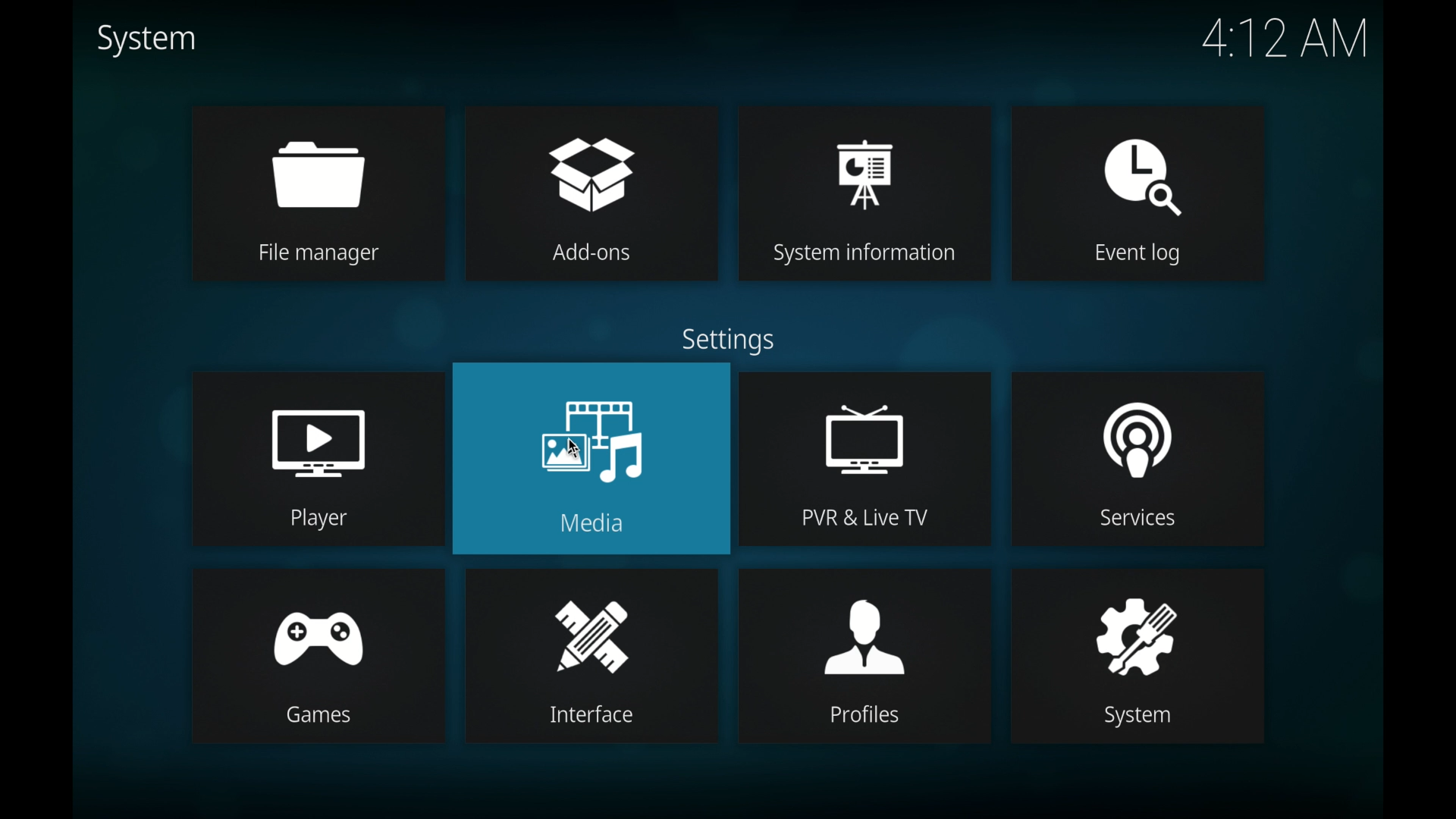  What do you see at coordinates (1281, 43) in the screenshot?
I see `4:12 AM` at bounding box center [1281, 43].